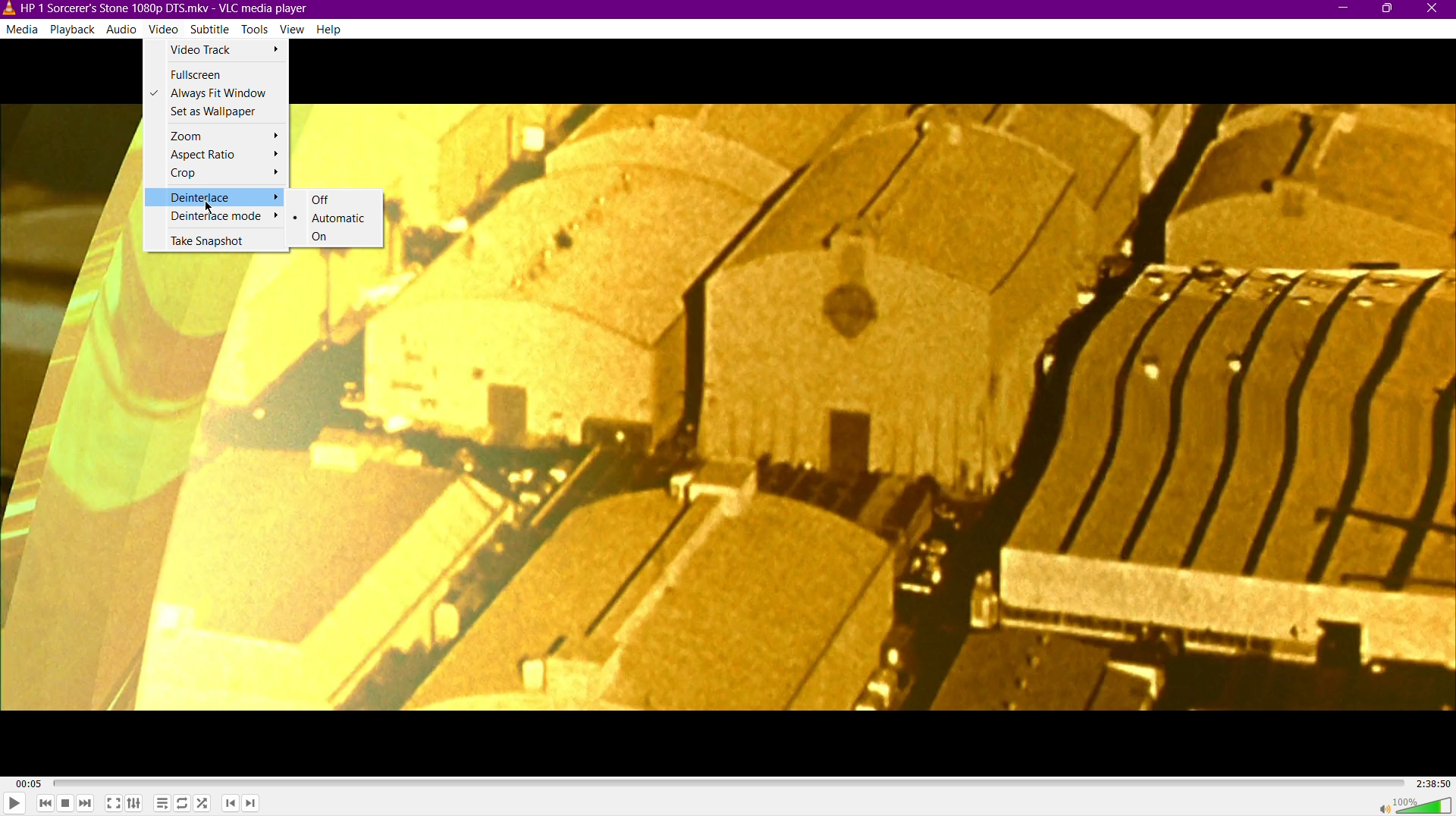 This screenshot has width=1456, height=816. Describe the element at coordinates (337, 237) in the screenshot. I see `On` at that location.